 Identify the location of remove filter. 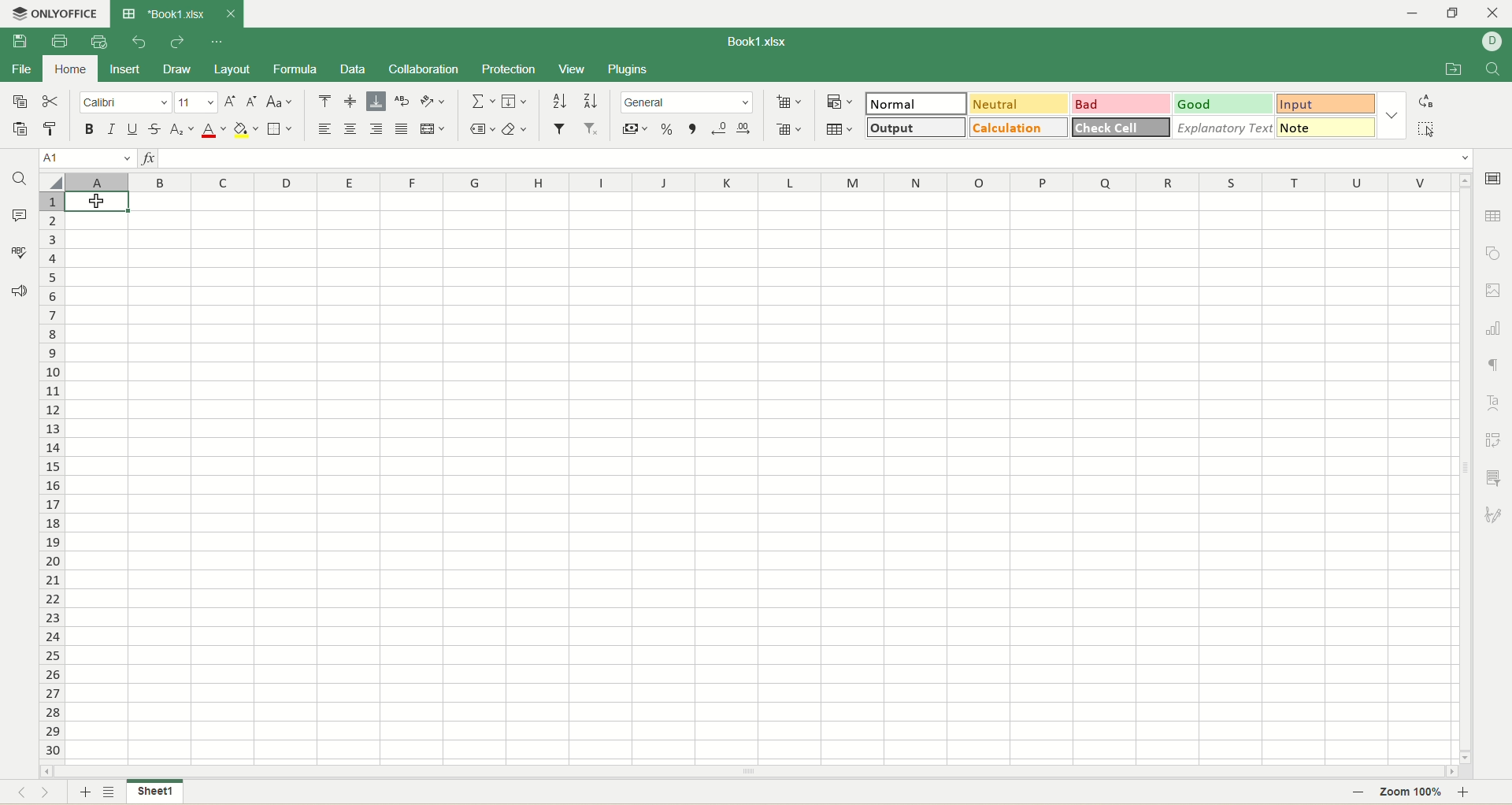
(590, 128).